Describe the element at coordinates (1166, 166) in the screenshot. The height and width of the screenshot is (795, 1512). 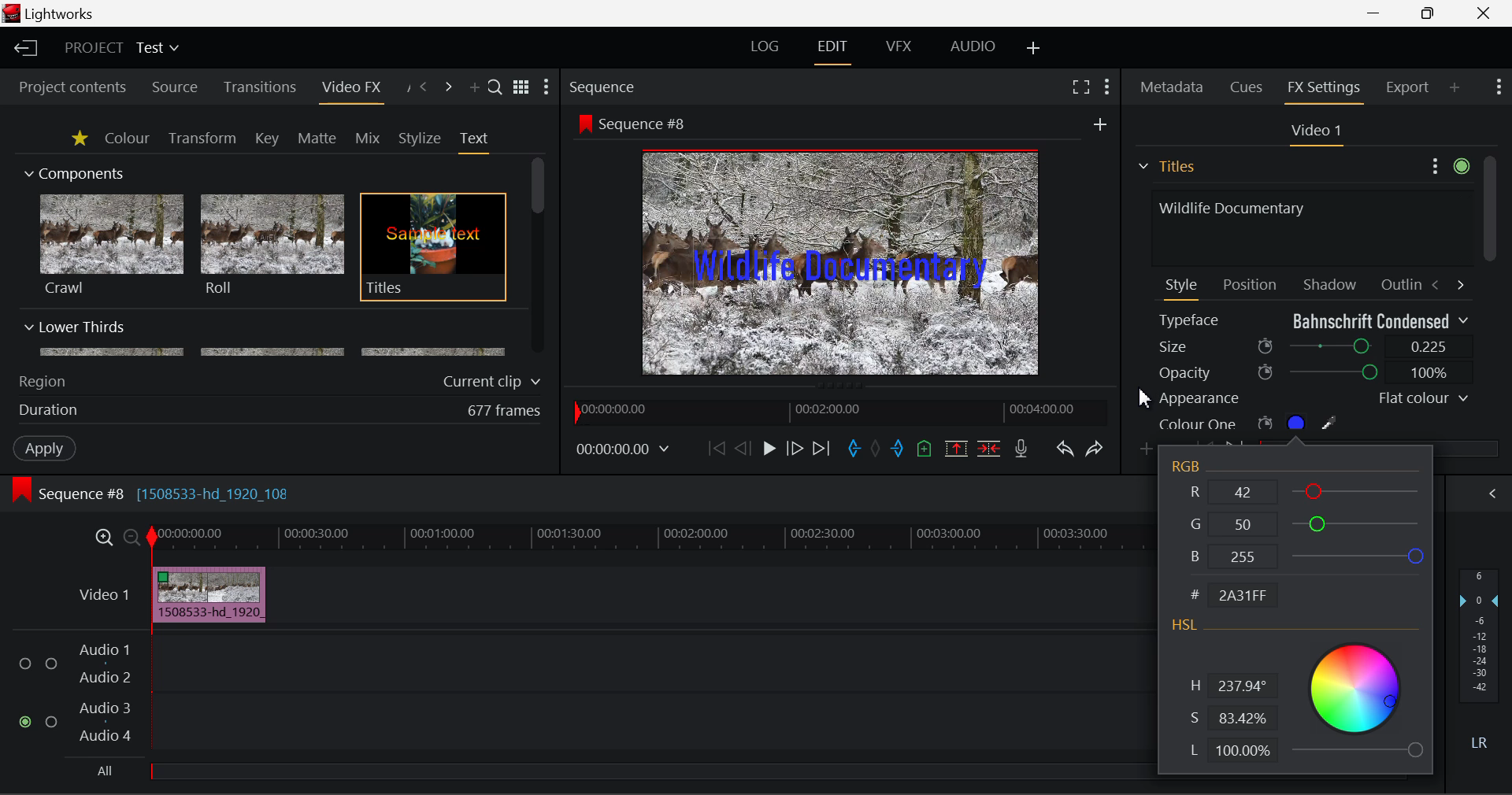
I see `Titles Section` at that location.